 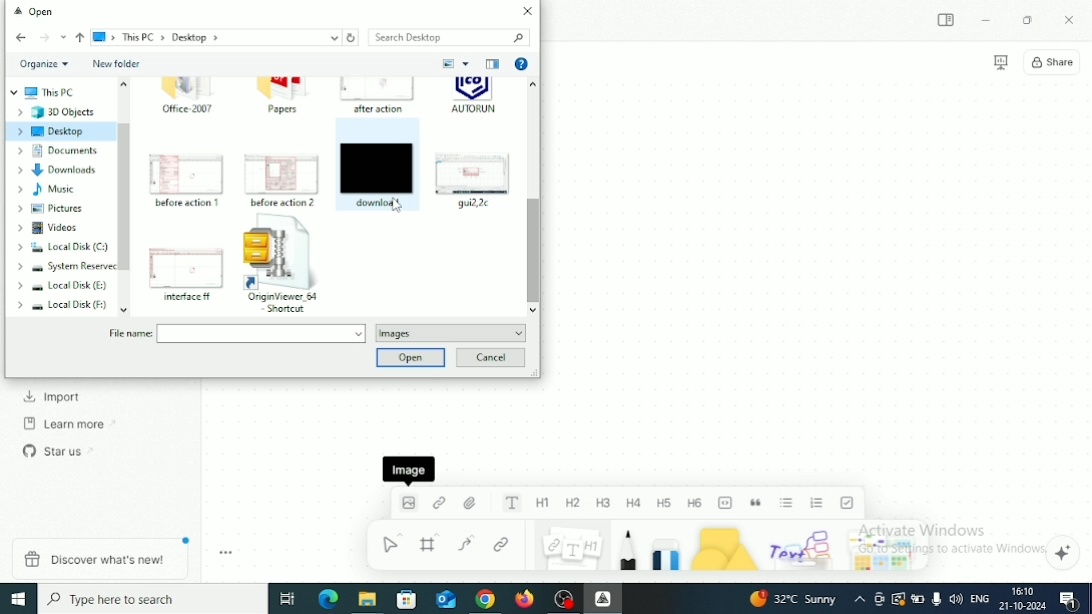 I want to click on Charging, plugged in, so click(x=919, y=597).